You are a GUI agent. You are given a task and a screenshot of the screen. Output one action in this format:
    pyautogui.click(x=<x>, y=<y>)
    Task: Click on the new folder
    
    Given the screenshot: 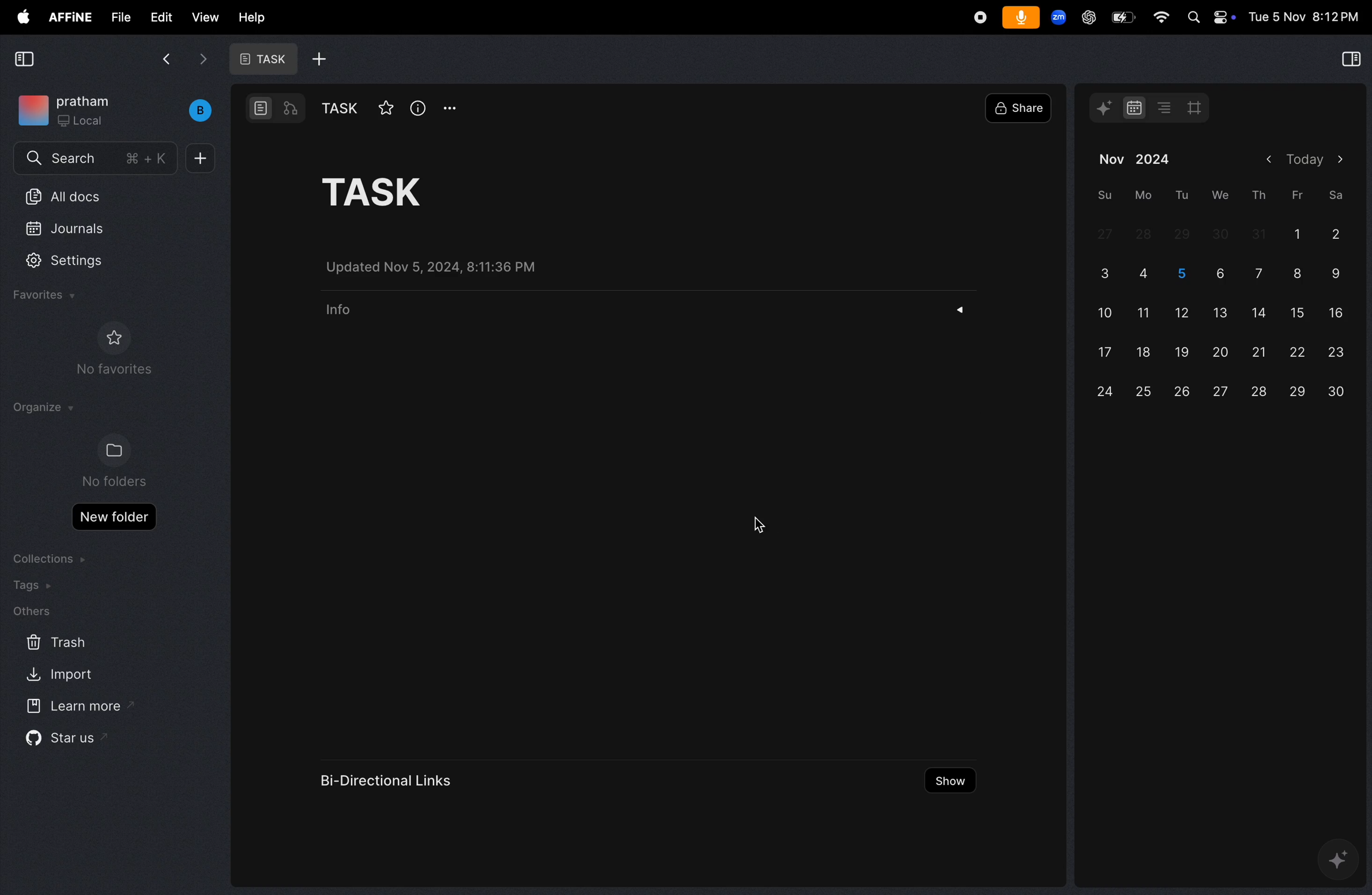 What is the action you would take?
    pyautogui.click(x=114, y=517)
    